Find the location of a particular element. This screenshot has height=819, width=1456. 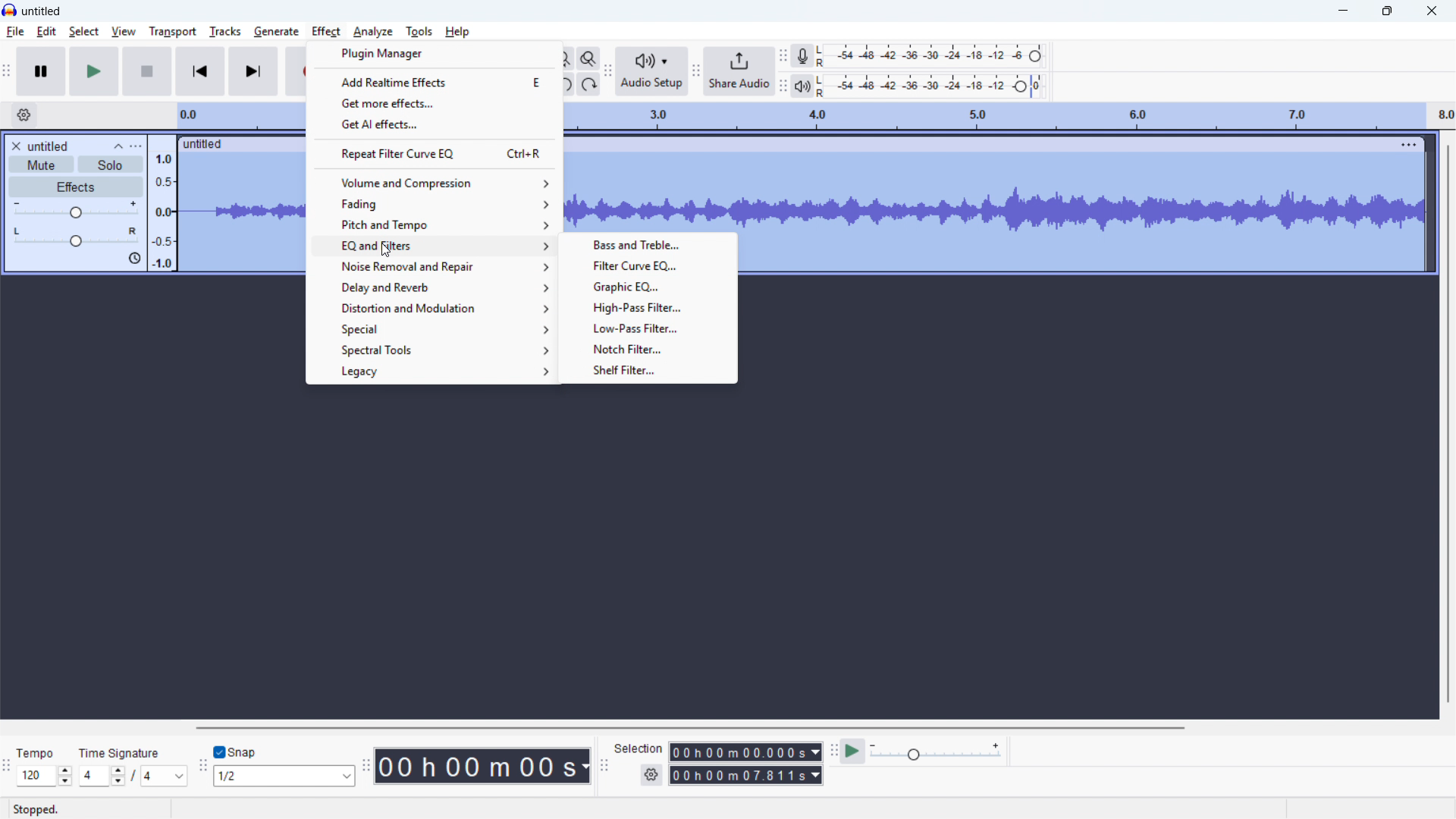

Vertical scroll bar  is located at coordinates (1448, 424).